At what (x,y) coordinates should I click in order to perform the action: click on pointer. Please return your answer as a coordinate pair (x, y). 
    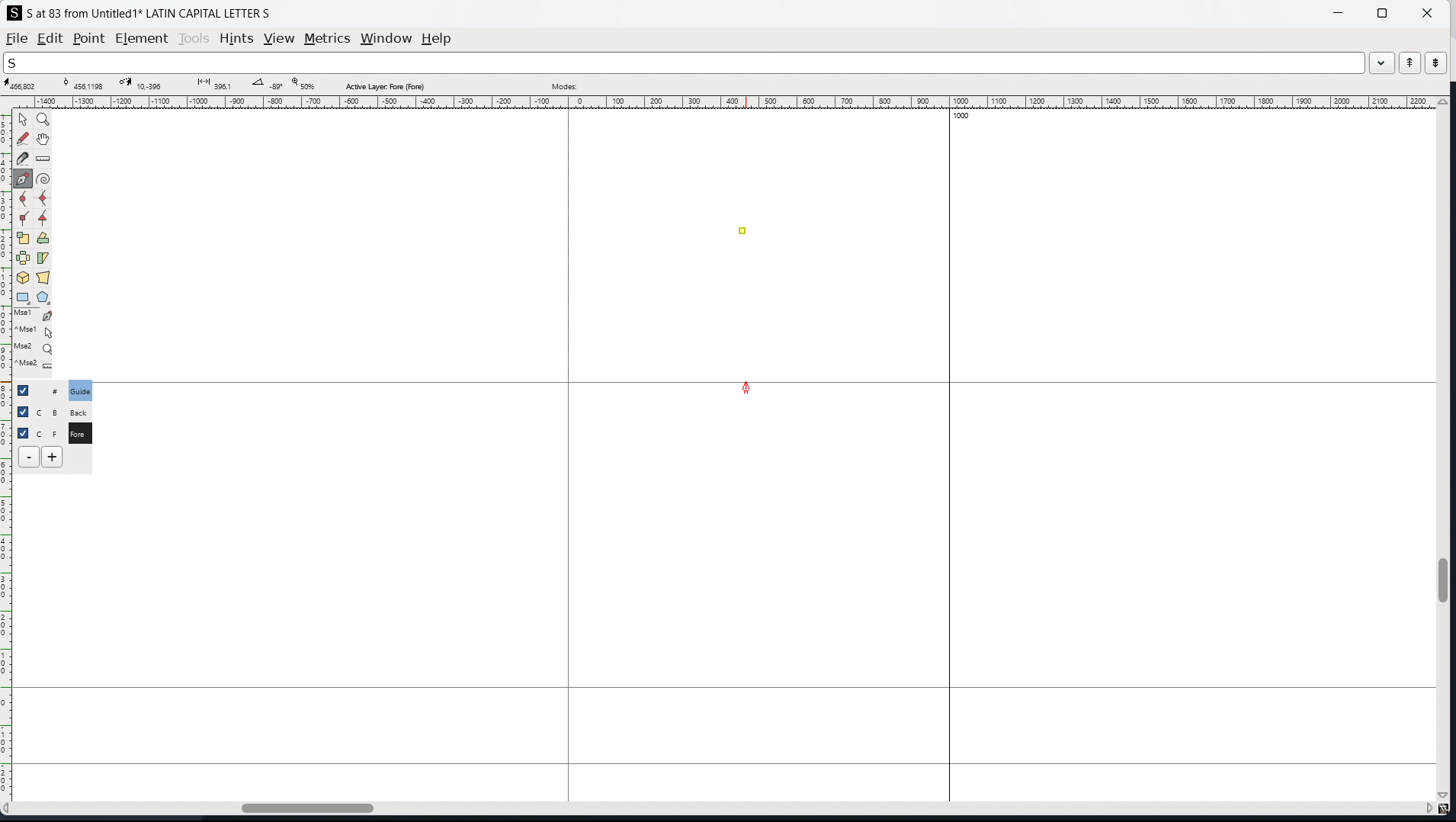
    Looking at the image, I should click on (24, 119).